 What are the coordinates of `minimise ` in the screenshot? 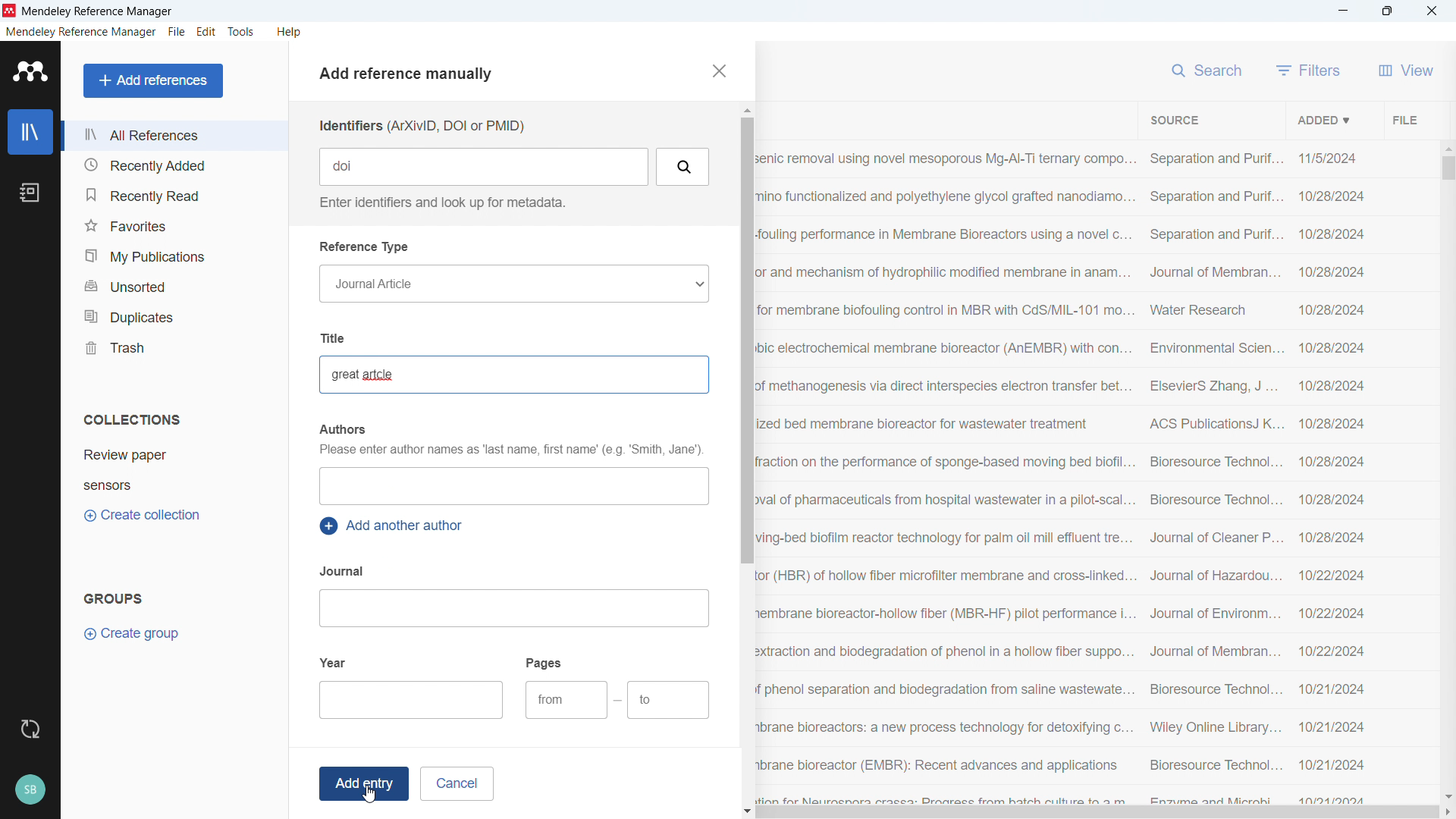 It's located at (1344, 11).